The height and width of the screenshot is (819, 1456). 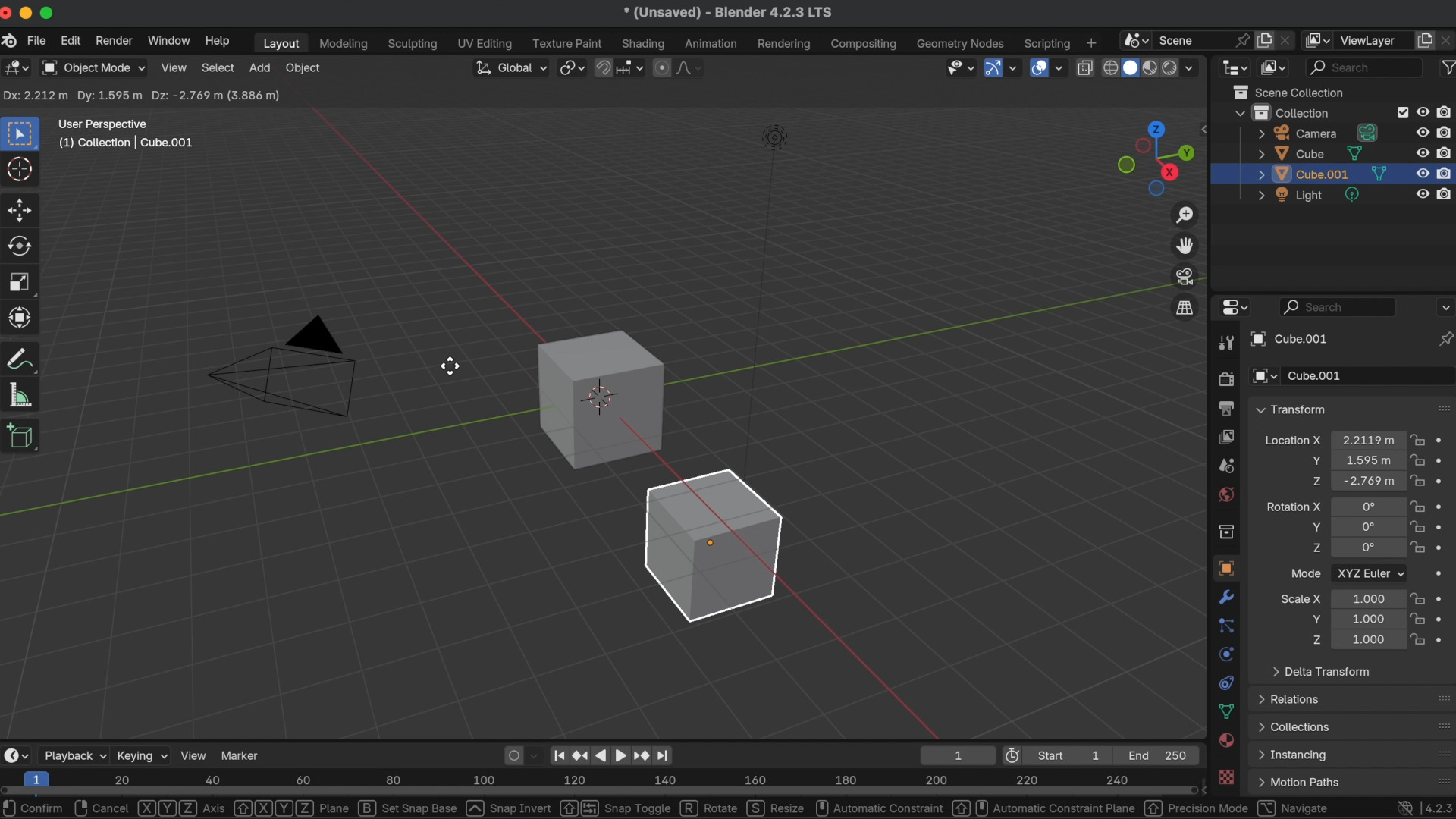 I want to click on select box, so click(x=23, y=133).